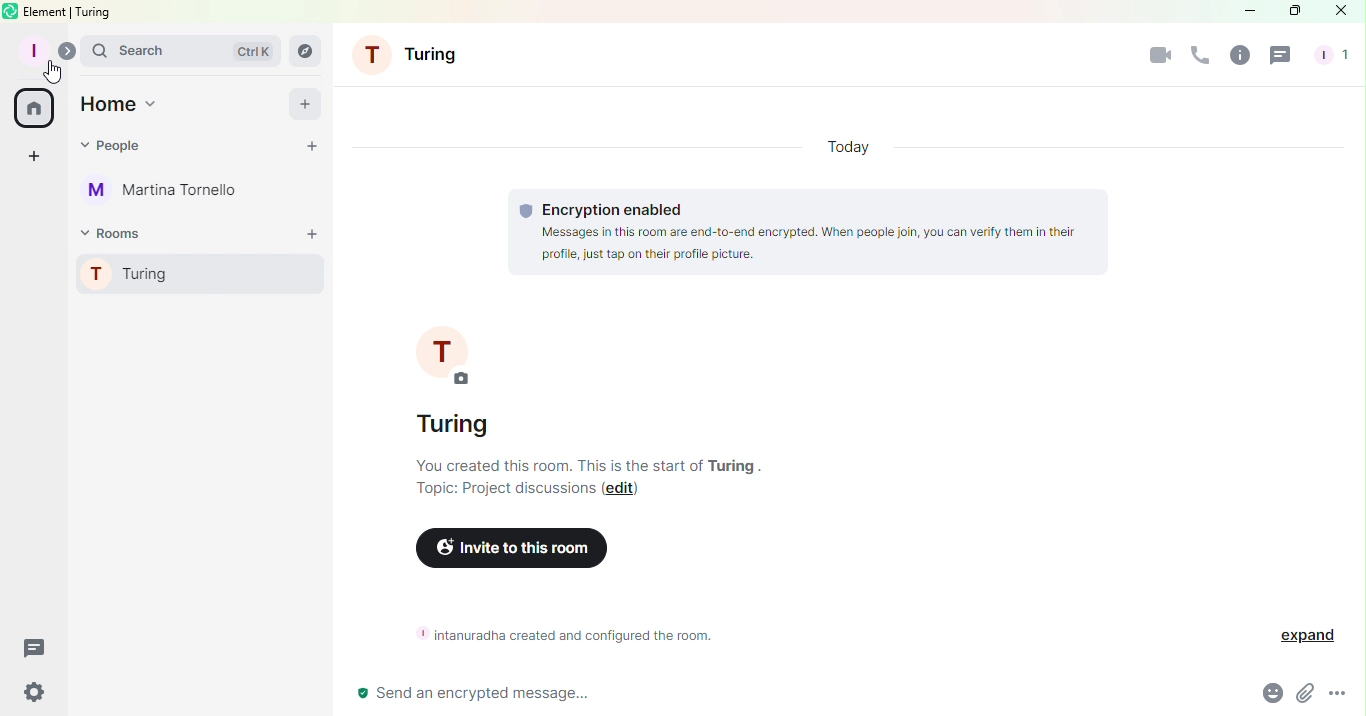  What do you see at coordinates (34, 156) in the screenshot?
I see `Create a space` at bounding box center [34, 156].